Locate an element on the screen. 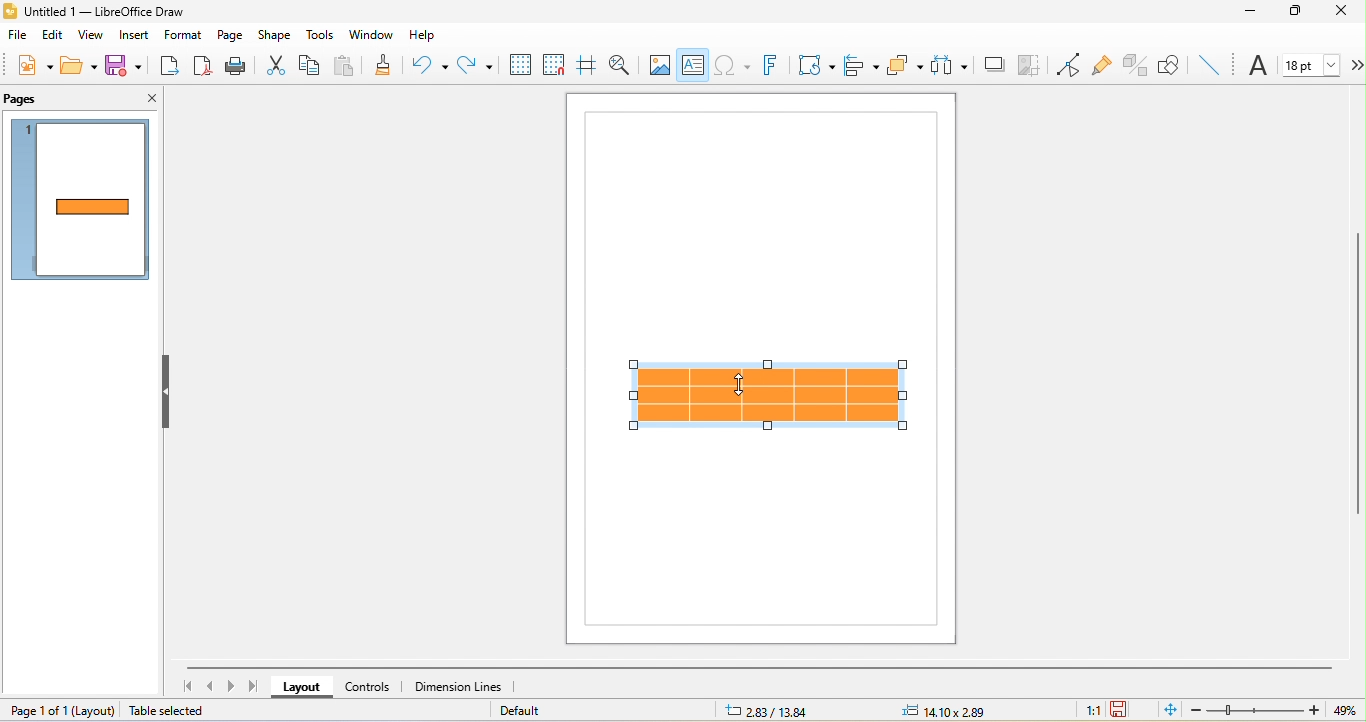 The width and height of the screenshot is (1366, 722). file is located at coordinates (15, 34).